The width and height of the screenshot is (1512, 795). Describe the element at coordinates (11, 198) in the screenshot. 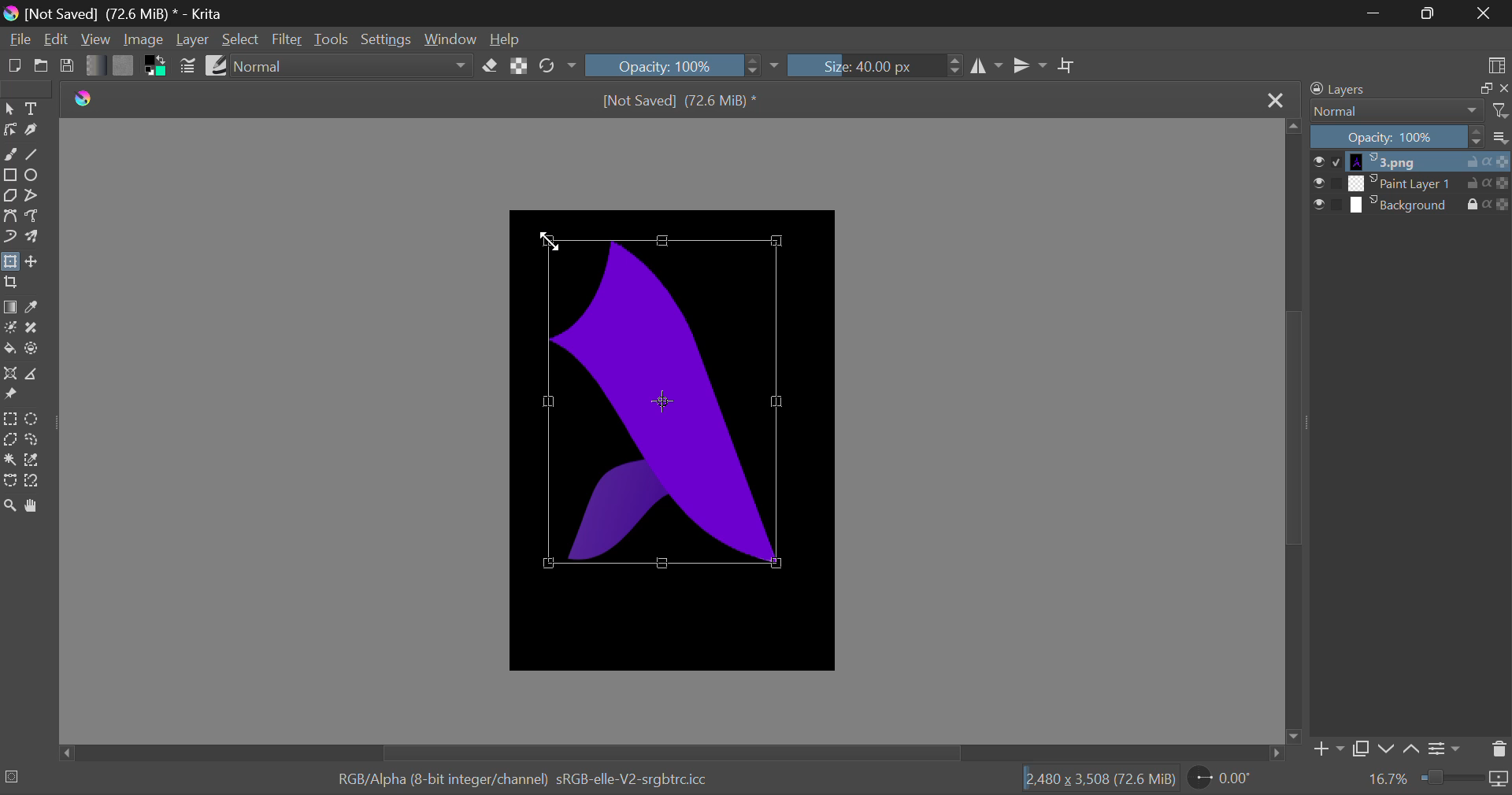

I see `Polygon` at that location.